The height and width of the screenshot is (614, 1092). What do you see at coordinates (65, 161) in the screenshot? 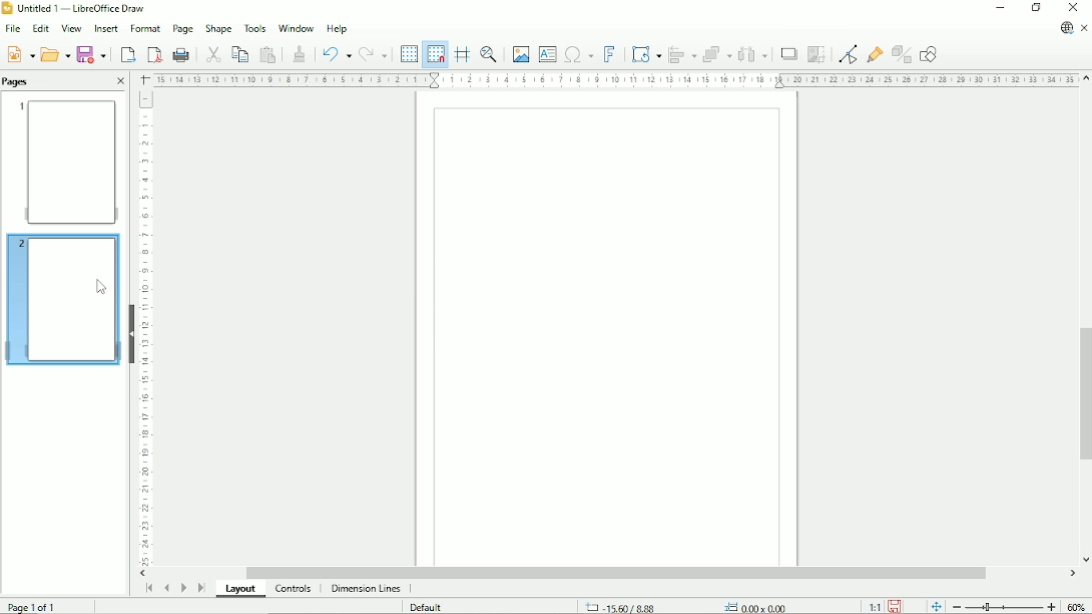
I see `Preview` at bounding box center [65, 161].